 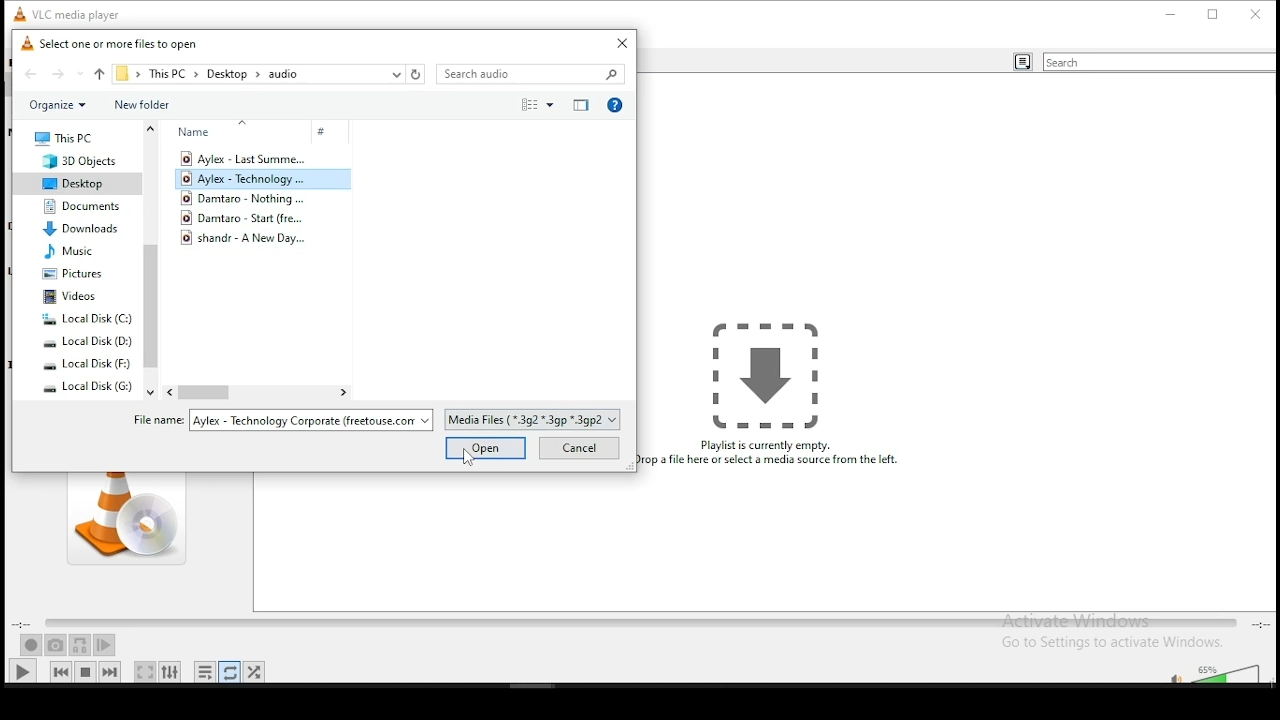 I want to click on back, so click(x=32, y=76).